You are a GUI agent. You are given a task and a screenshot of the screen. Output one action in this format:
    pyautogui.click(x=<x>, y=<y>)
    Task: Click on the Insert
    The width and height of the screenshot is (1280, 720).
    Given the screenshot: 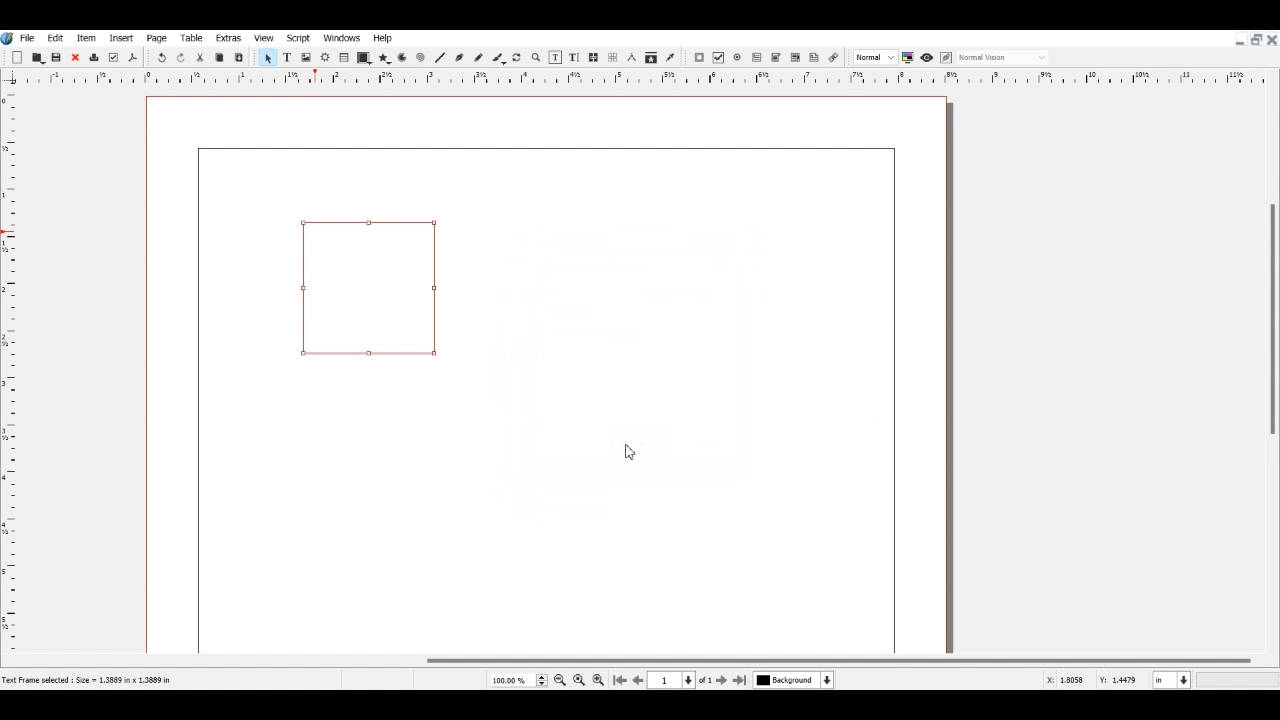 What is the action you would take?
    pyautogui.click(x=120, y=38)
    